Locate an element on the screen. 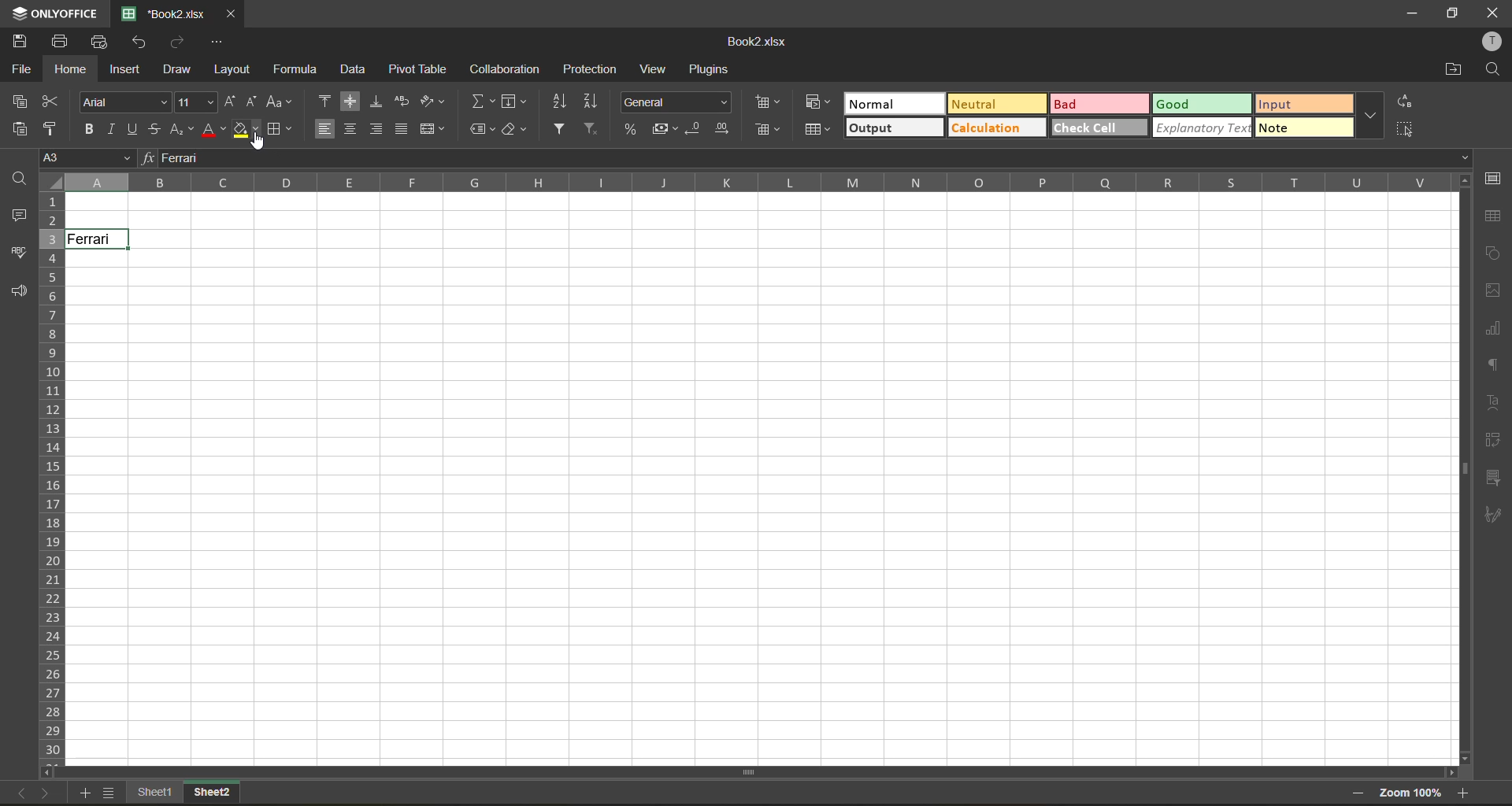 This screenshot has height=806, width=1512. maximize is located at coordinates (1453, 15).